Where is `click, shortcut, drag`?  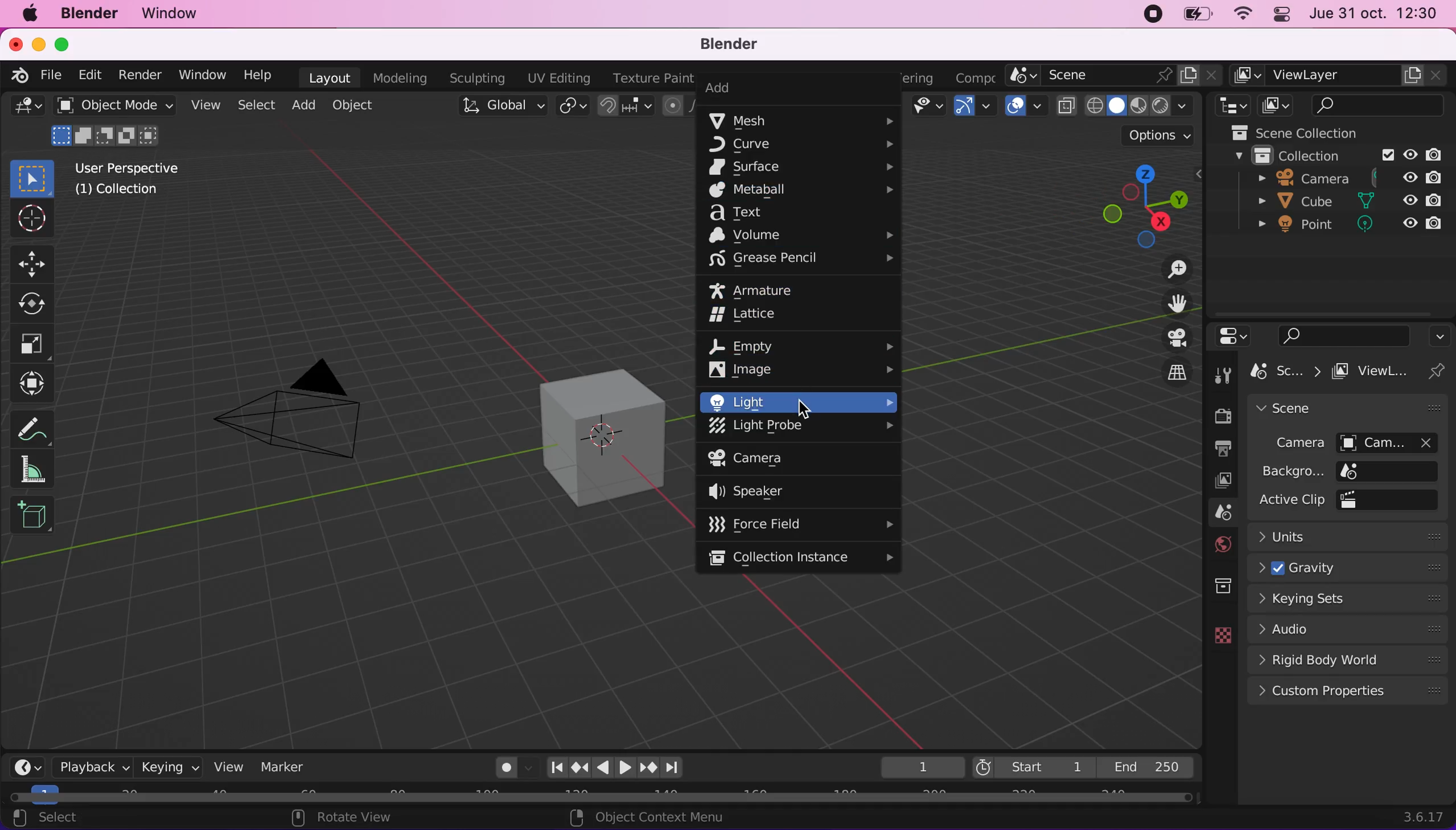
click, shortcut, drag is located at coordinates (1145, 205).